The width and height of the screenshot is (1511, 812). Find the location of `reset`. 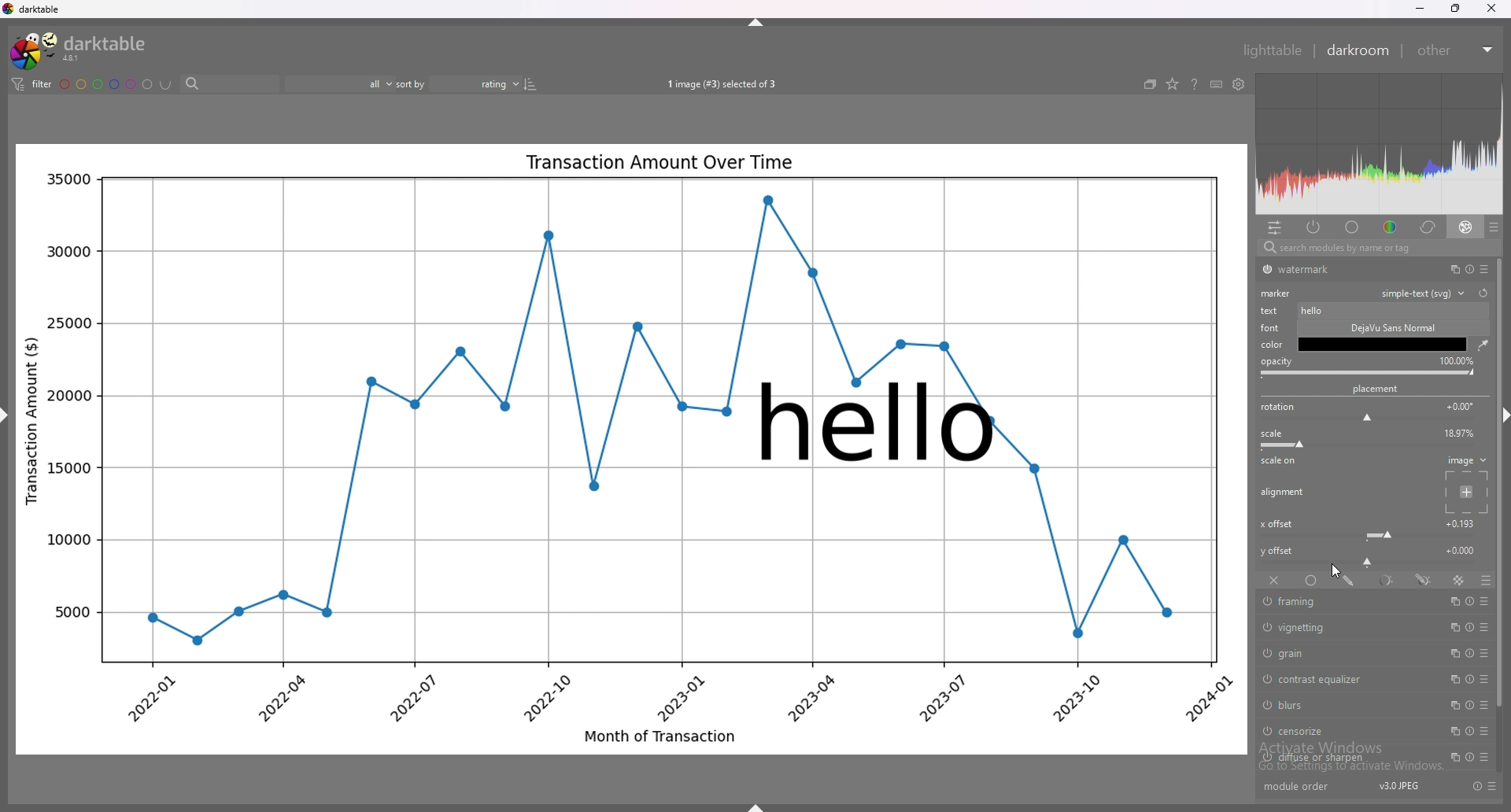

reset is located at coordinates (1470, 601).